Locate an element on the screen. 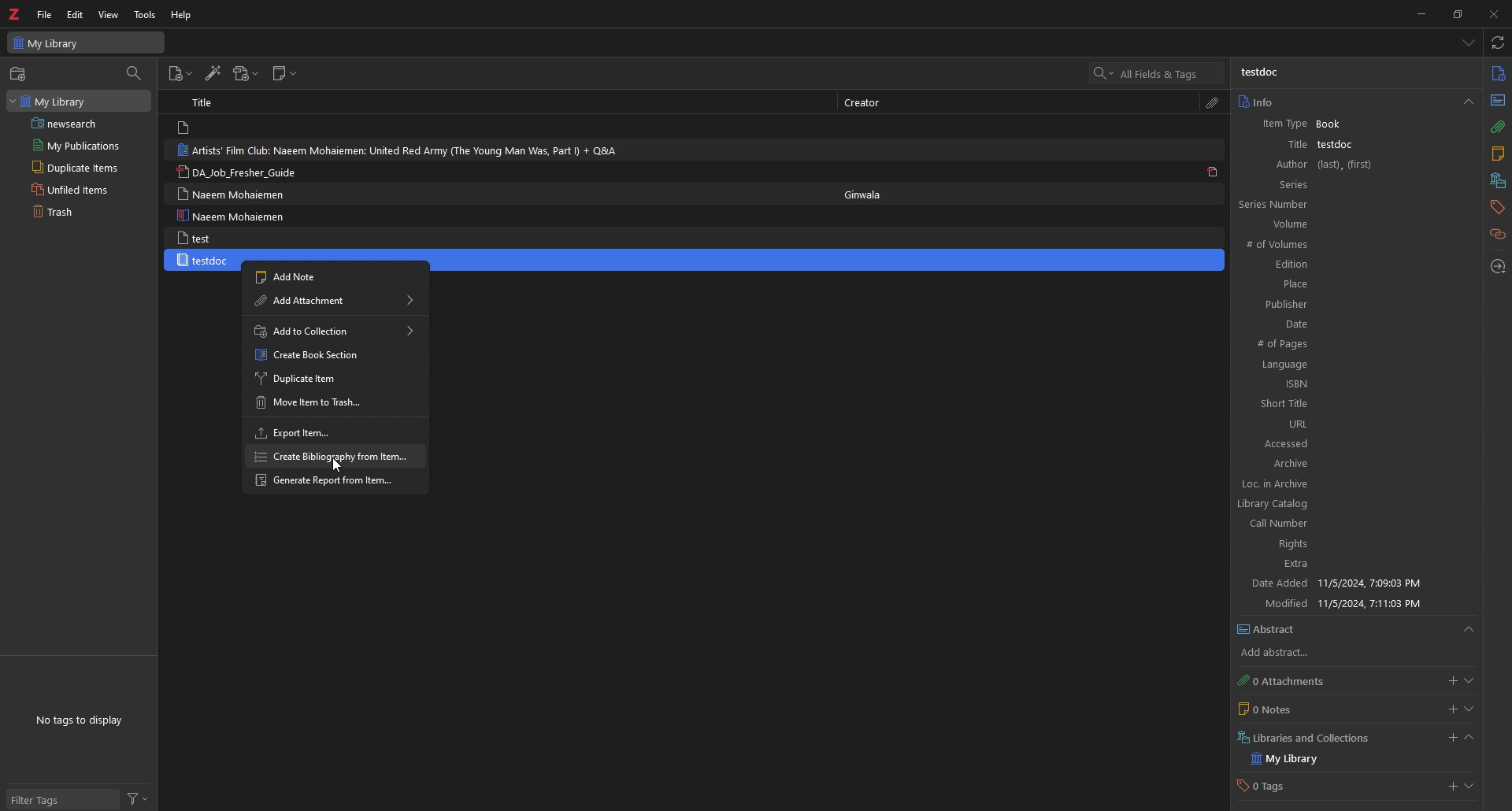 The height and width of the screenshot is (811, 1512). note is located at coordinates (1497, 156).